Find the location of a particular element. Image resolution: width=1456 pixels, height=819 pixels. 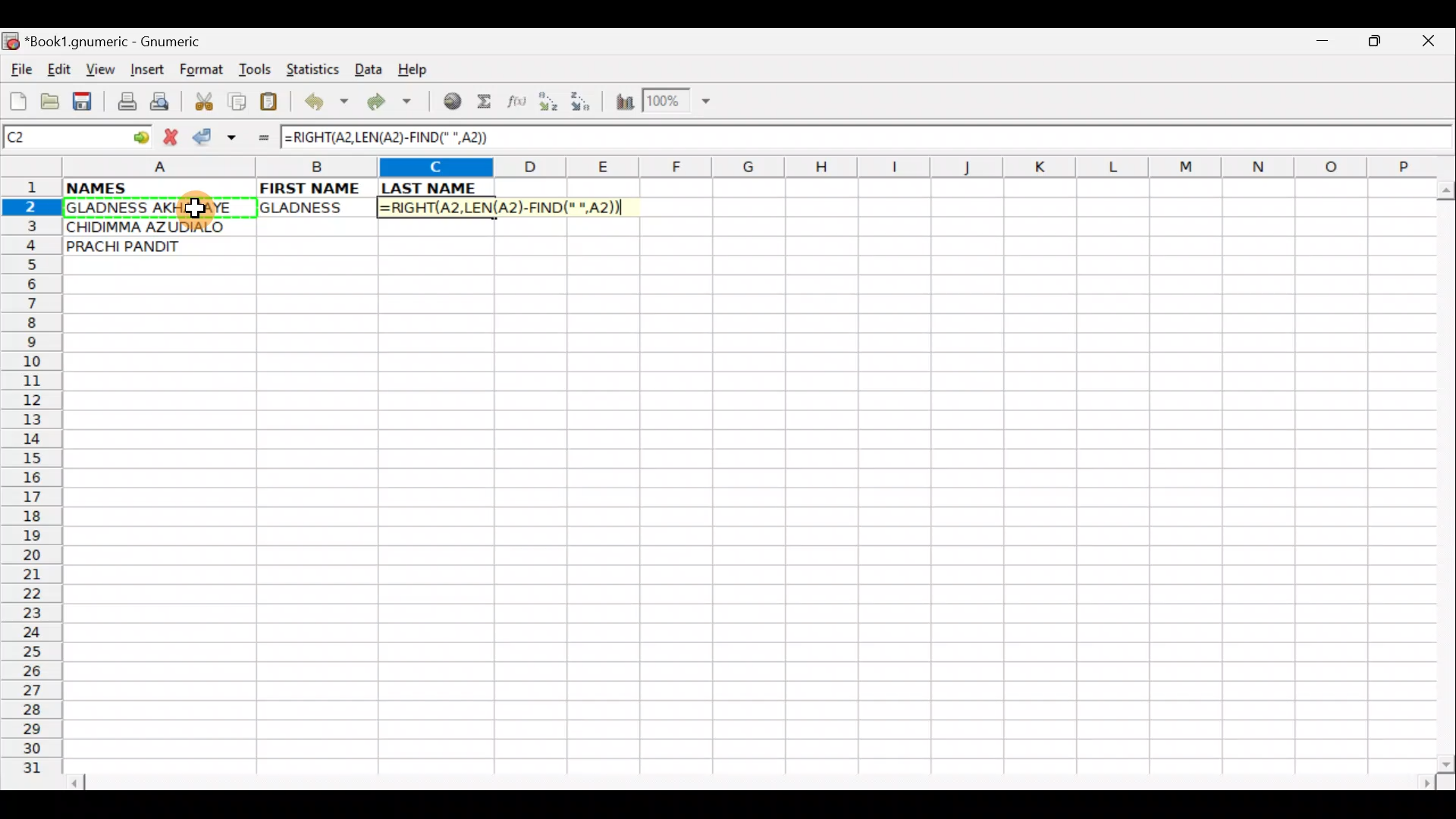

Insert hyperlink is located at coordinates (450, 102).